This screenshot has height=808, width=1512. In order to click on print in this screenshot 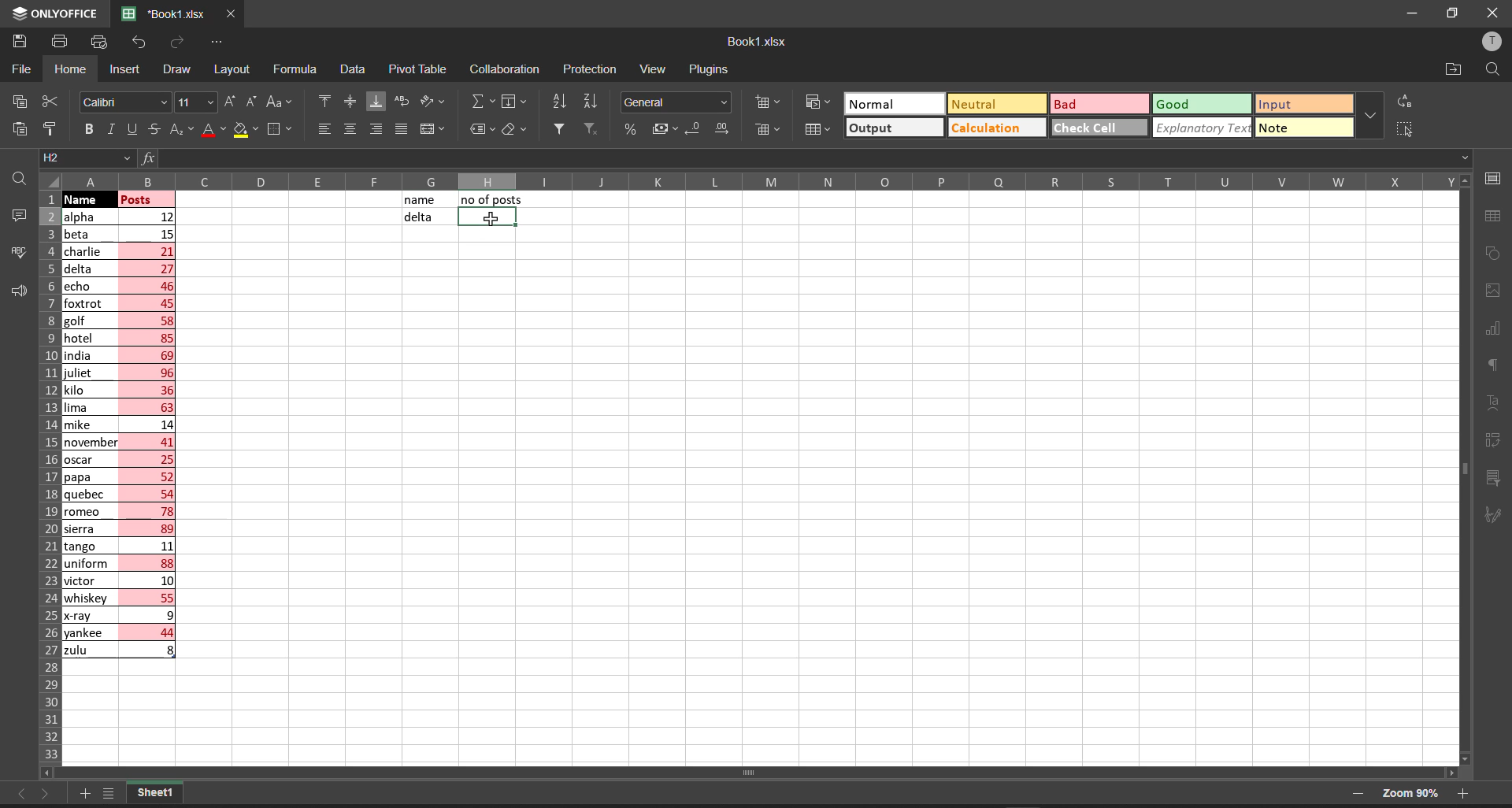, I will do `click(61, 43)`.